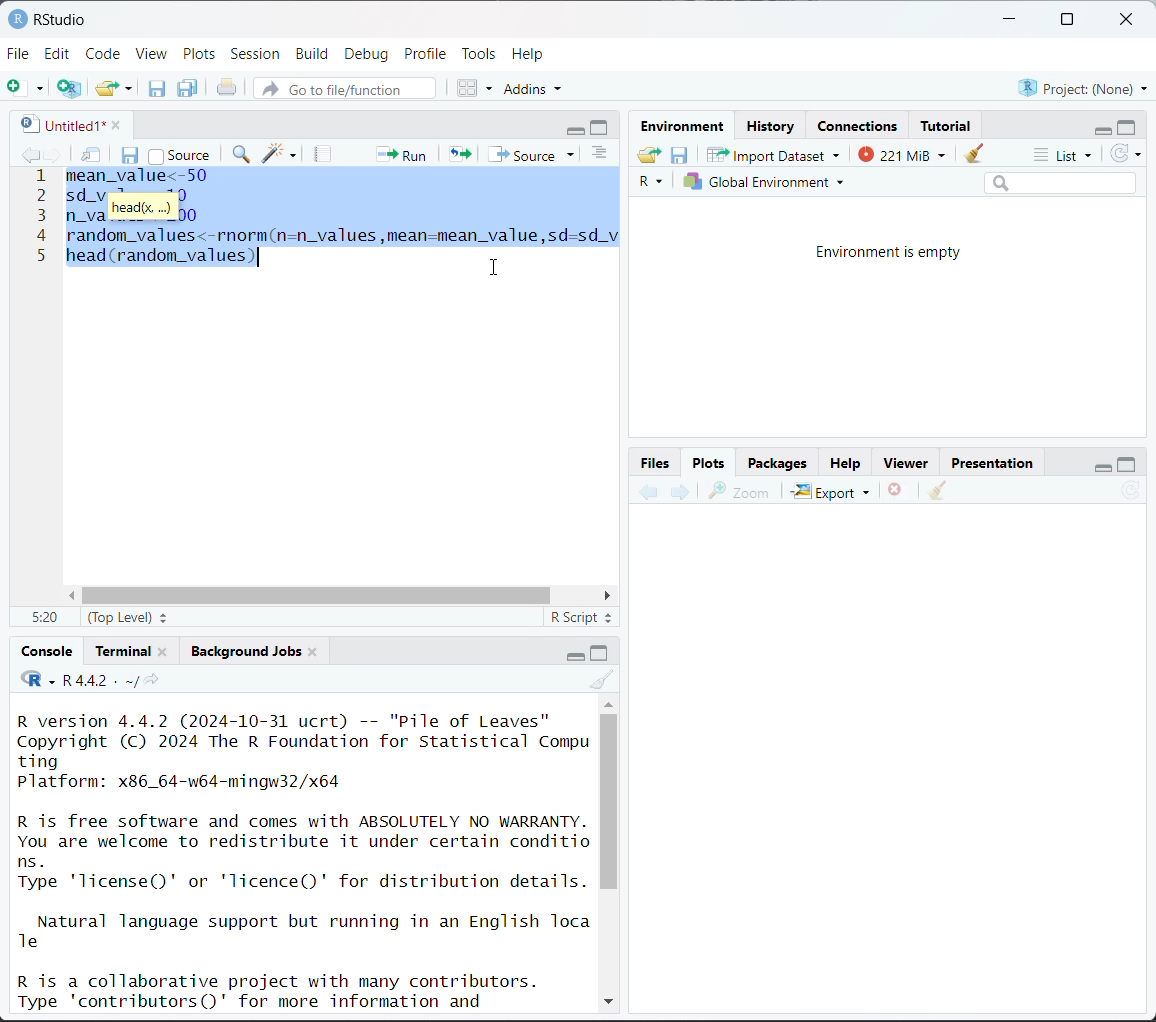 The height and width of the screenshot is (1022, 1156). Describe the element at coordinates (772, 126) in the screenshot. I see `History` at that location.